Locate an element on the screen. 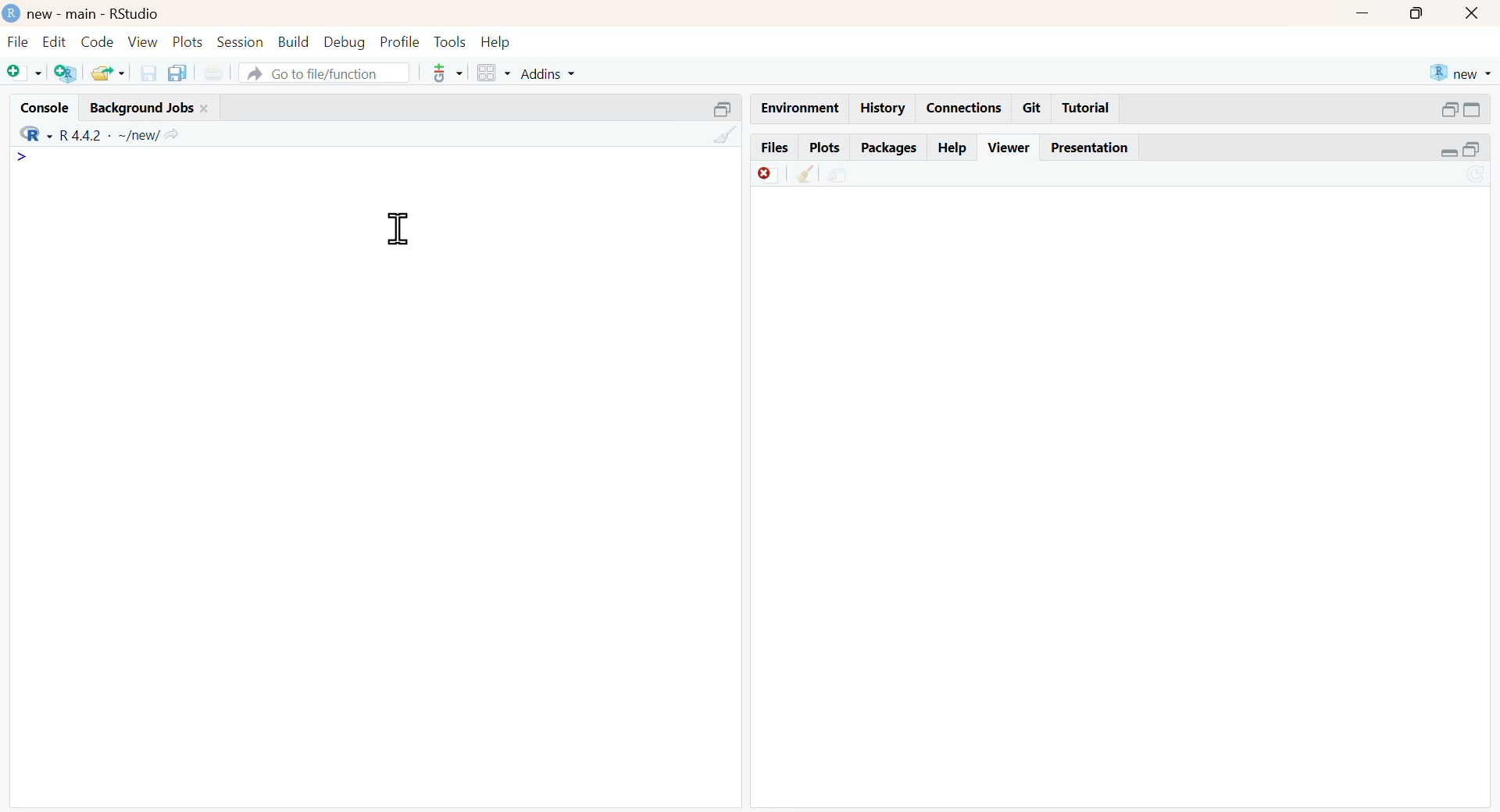 This screenshot has height=812, width=1500. Background Jobs is located at coordinates (163, 105).